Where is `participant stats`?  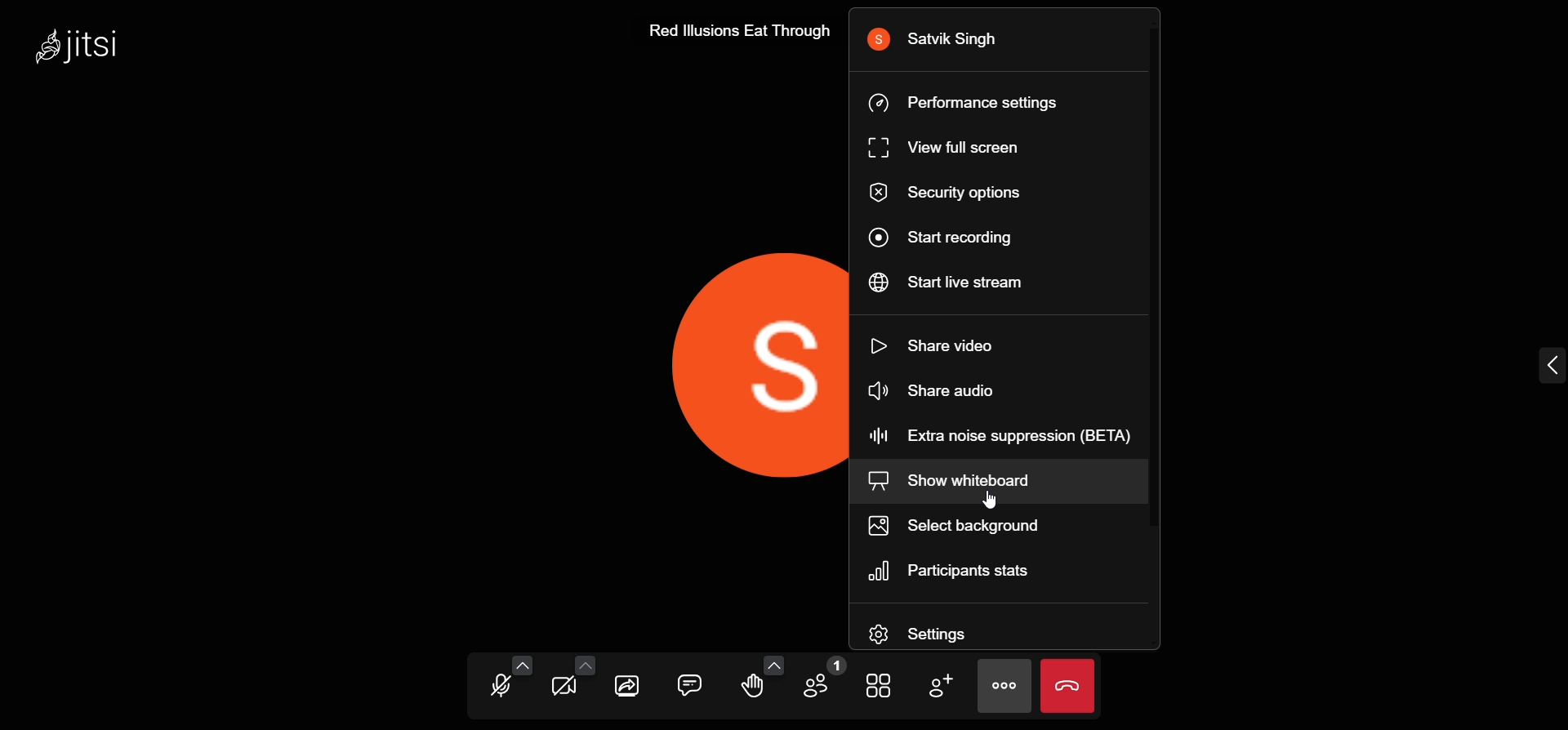 participant stats is located at coordinates (957, 569).